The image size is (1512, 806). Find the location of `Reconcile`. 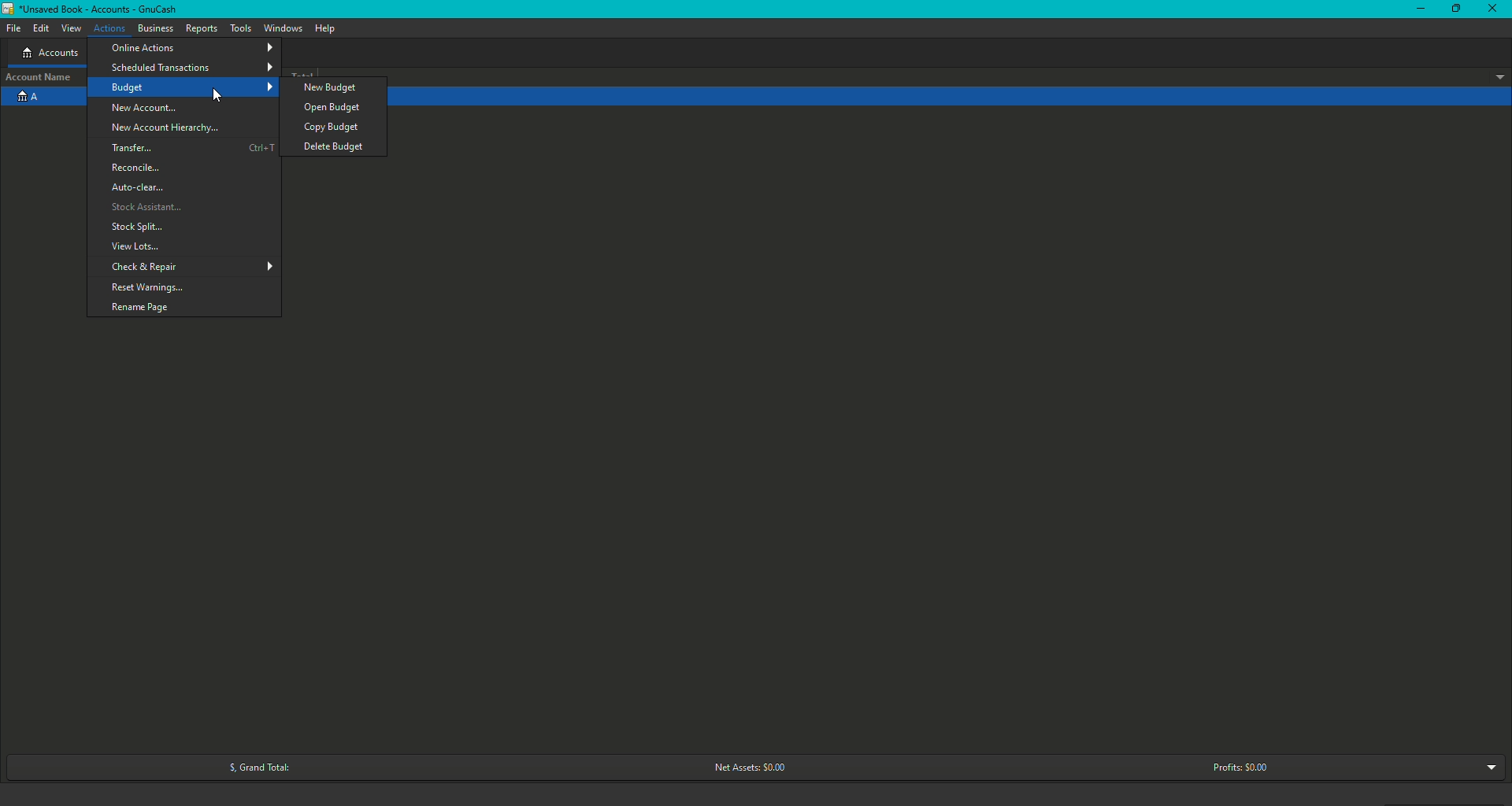

Reconcile is located at coordinates (135, 169).